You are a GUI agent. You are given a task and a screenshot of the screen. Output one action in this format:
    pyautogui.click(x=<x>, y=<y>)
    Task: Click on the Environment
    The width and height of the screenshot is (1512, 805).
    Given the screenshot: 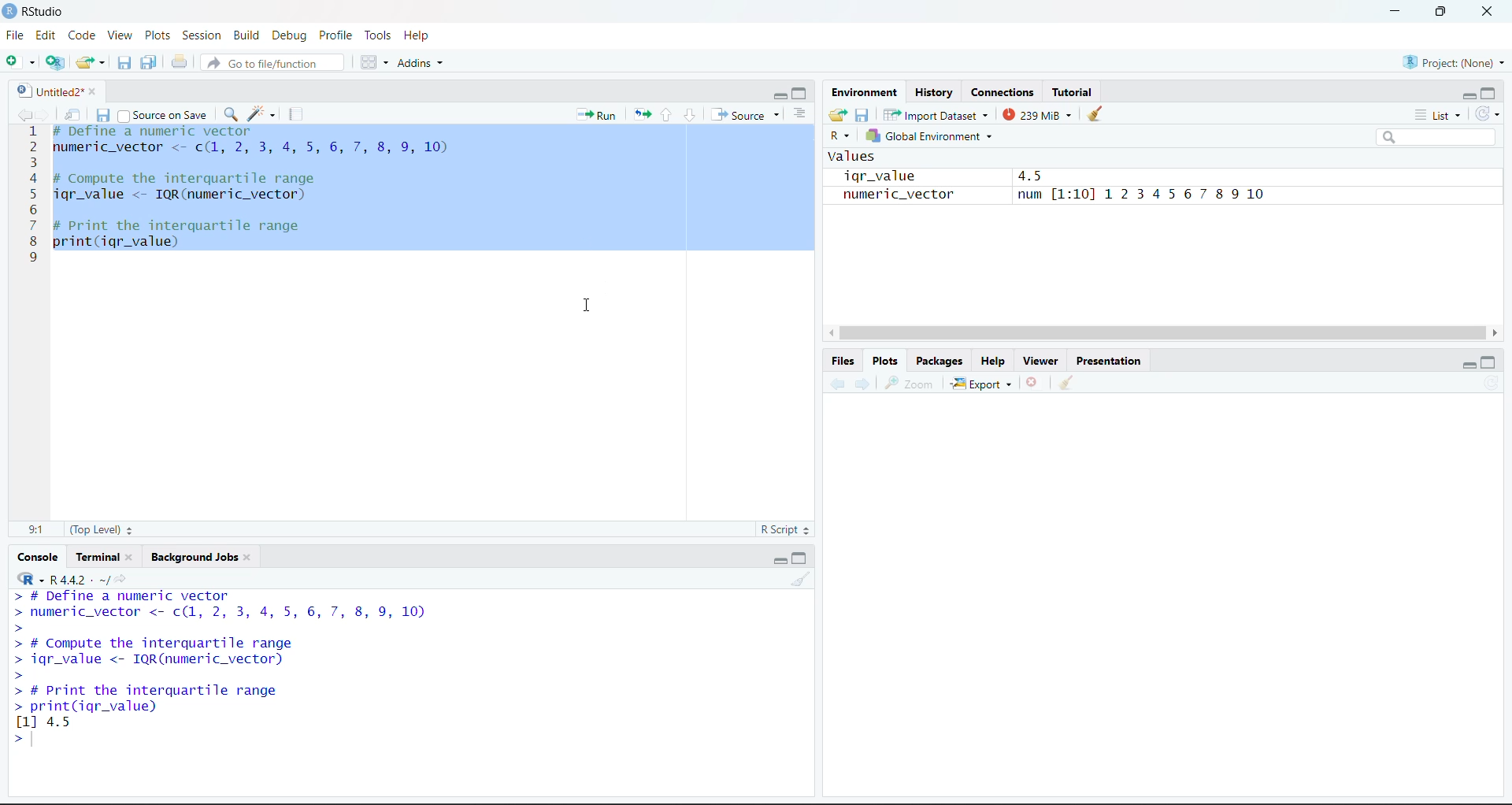 What is the action you would take?
    pyautogui.click(x=865, y=95)
    